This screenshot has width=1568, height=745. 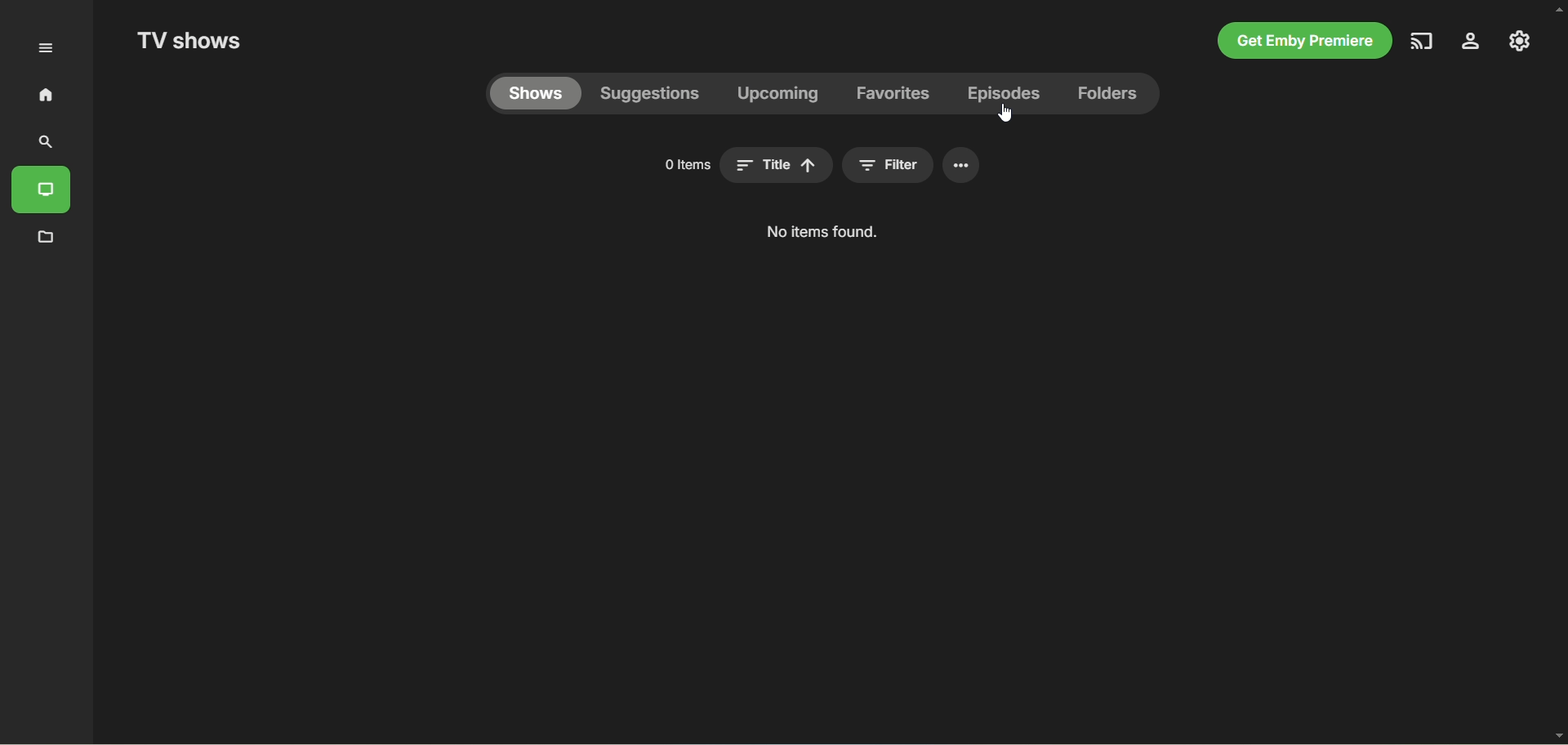 I want to click on text, so click(x=821, y=231).